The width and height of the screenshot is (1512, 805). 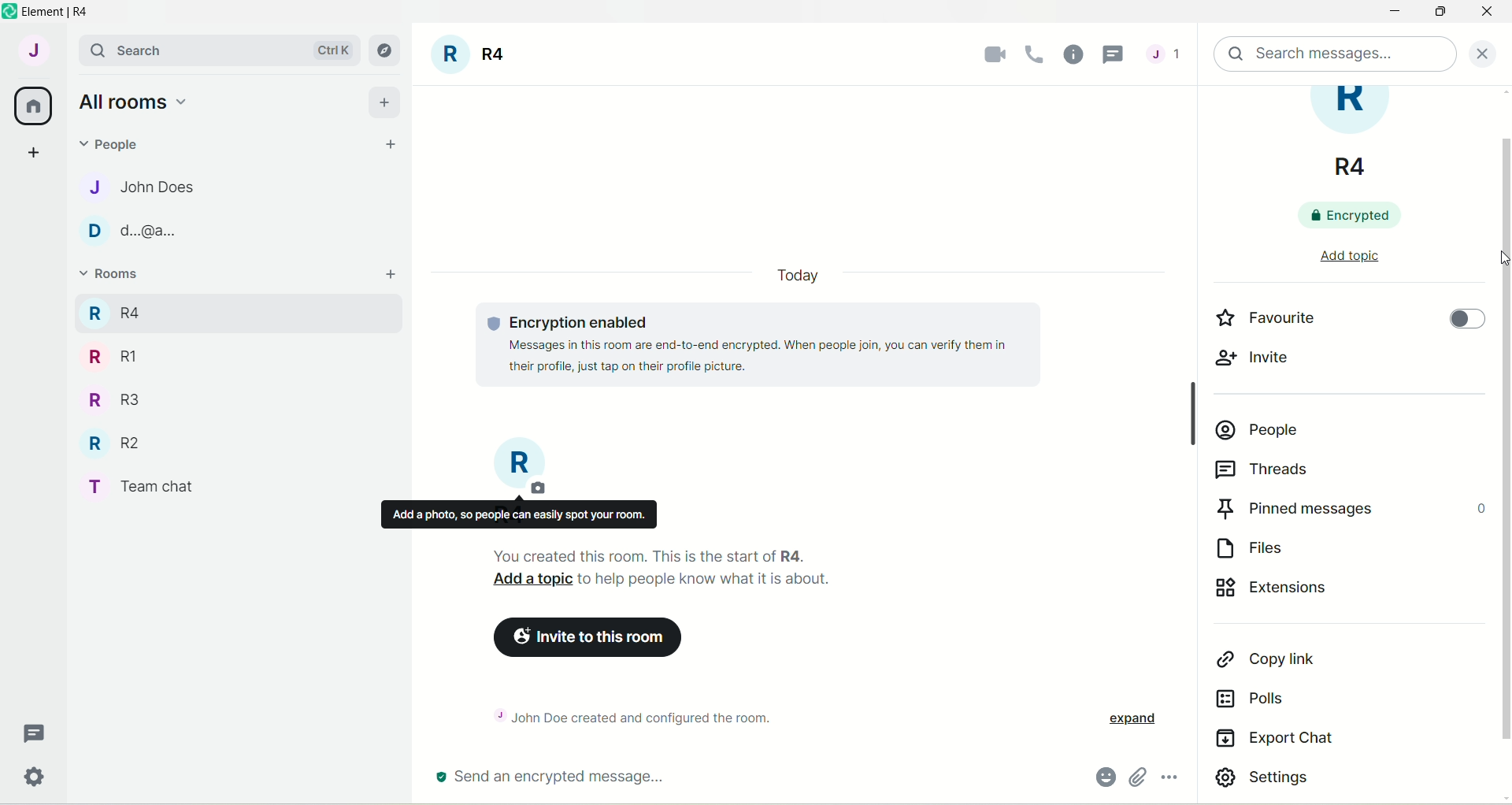 What do you see at coordinates (571, 775) in the screenshot?
I see `send an encrypted message...` at bounding box center [571, 775].